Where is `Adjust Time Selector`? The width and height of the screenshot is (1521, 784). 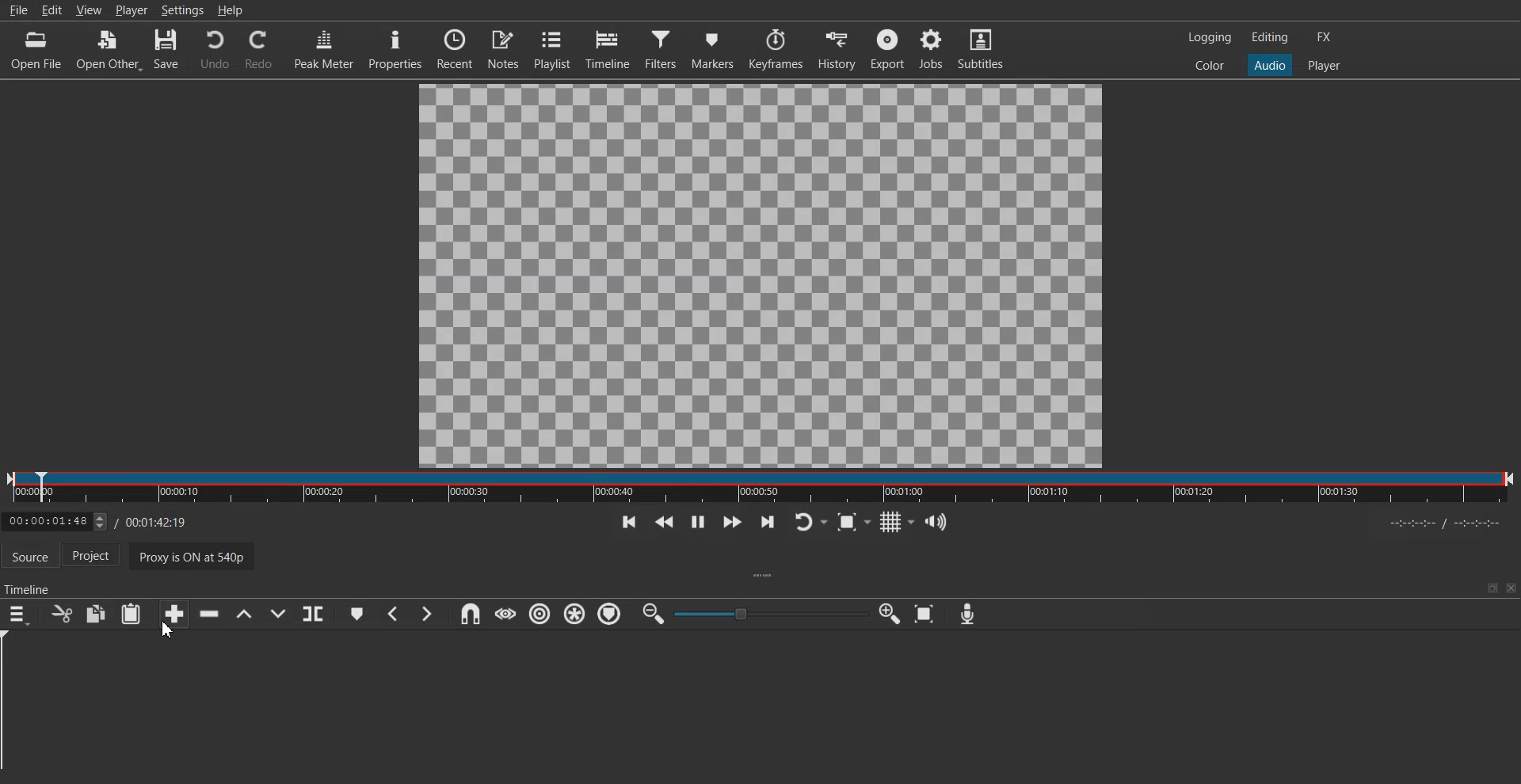
Adjust Time Selector is located at coordinates (93, 519).